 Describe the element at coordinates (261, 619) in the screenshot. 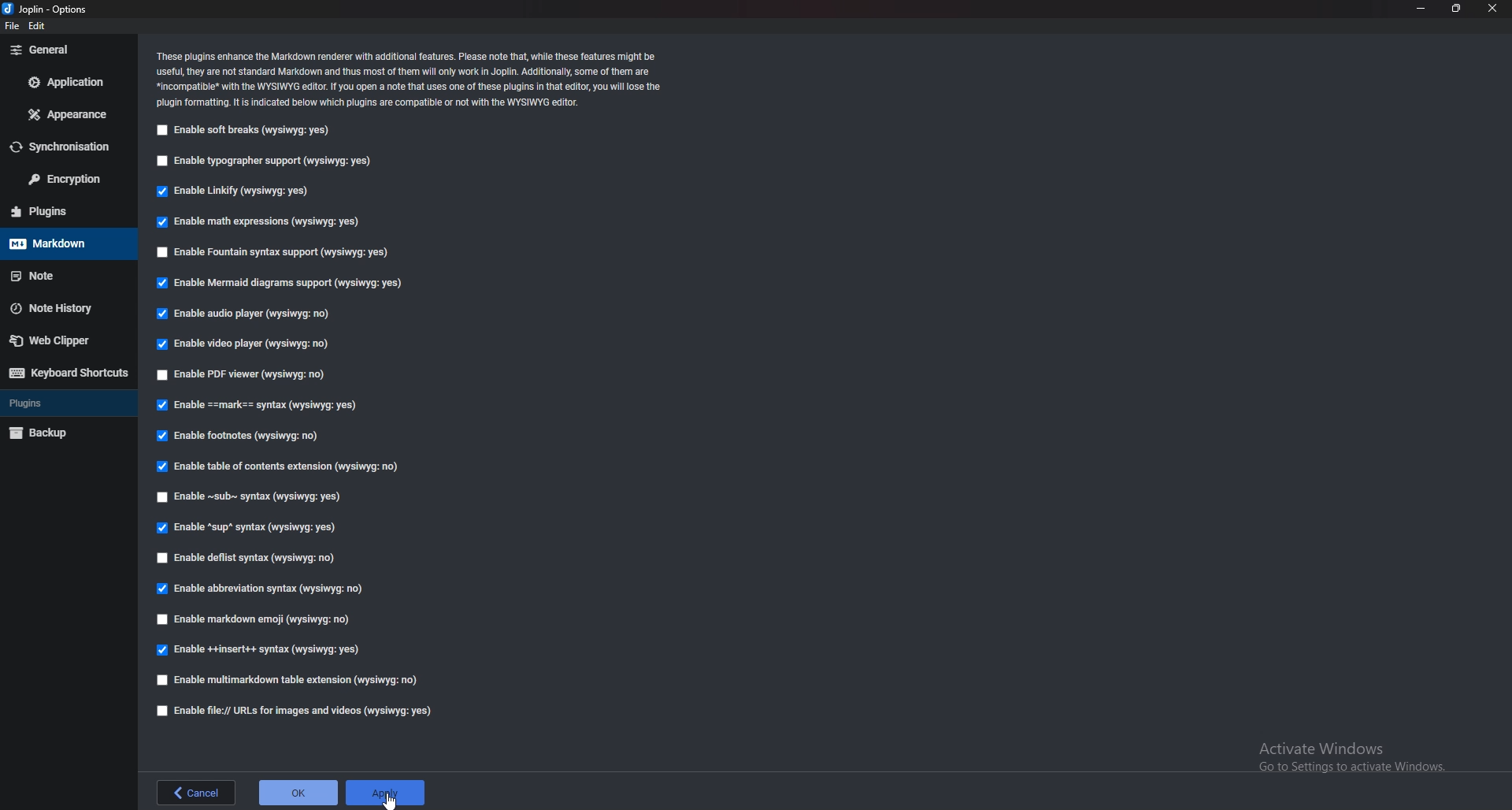

I see `enable markdown emoji` at that location.